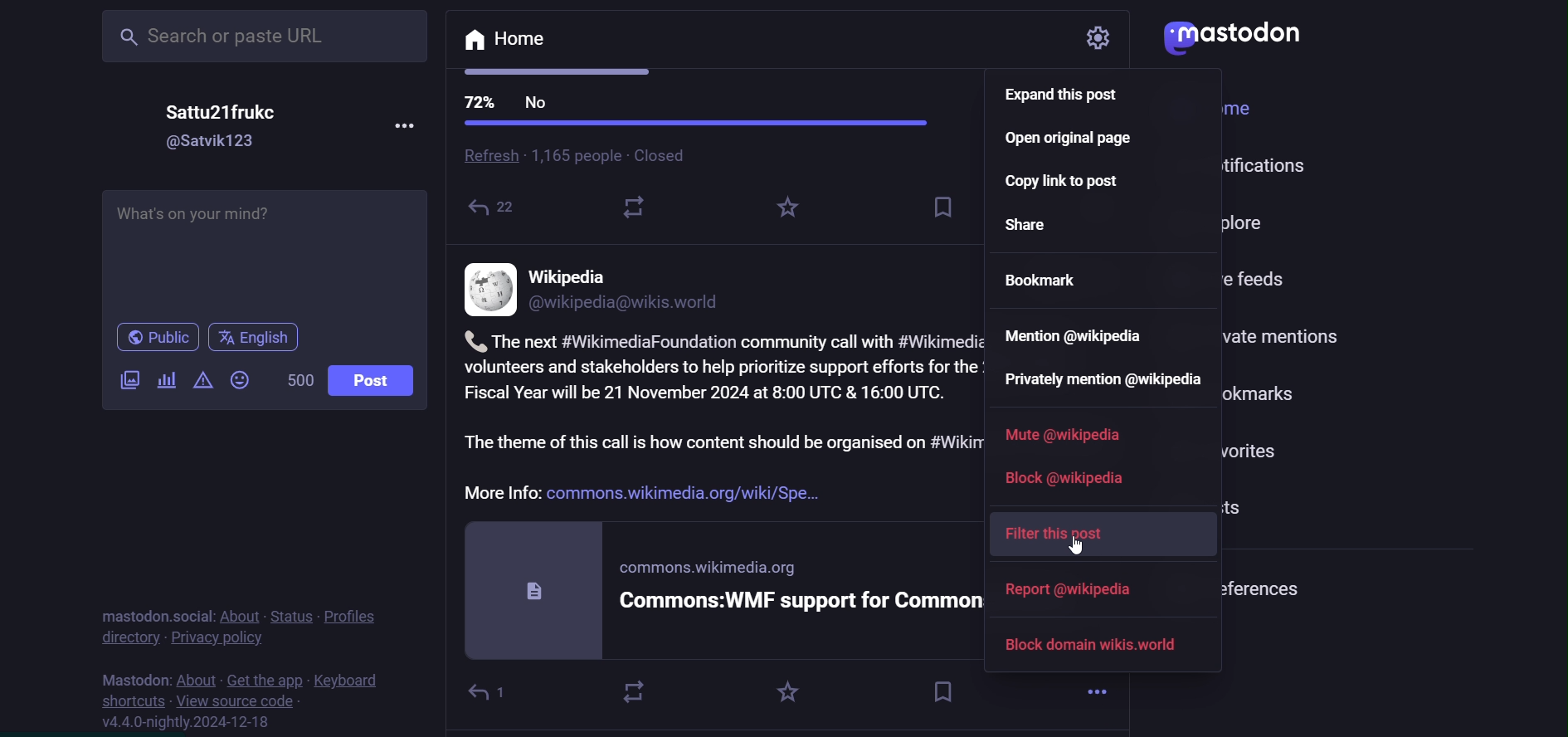 Image resolution: width=1568 pixels, height=737 pixels. What do you see at coordinates (946, 207) in the screenshot?
I see `save` at bounding box center [946, 207].